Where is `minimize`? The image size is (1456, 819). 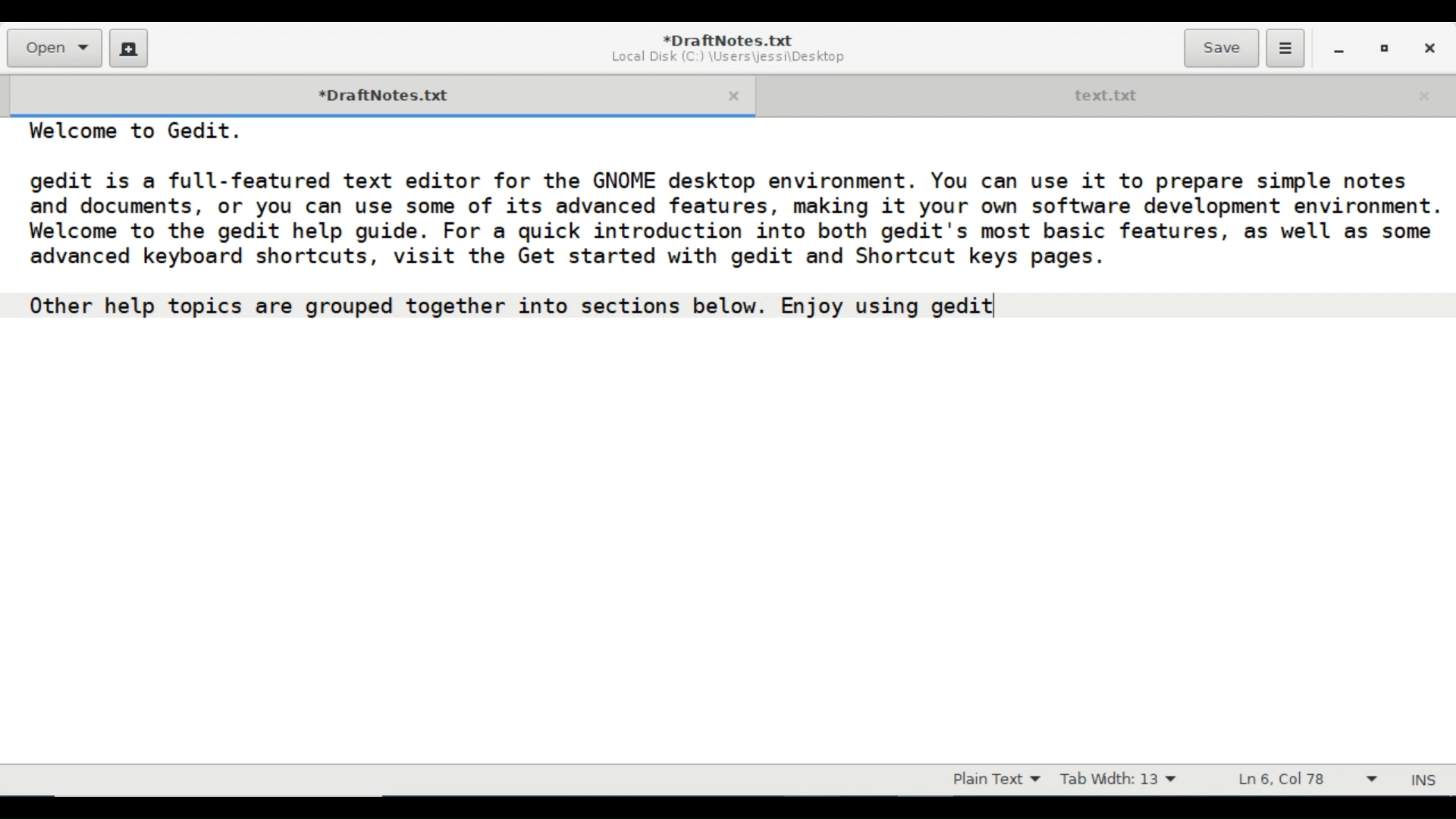
minimize is located at coordinates (1338, 48).